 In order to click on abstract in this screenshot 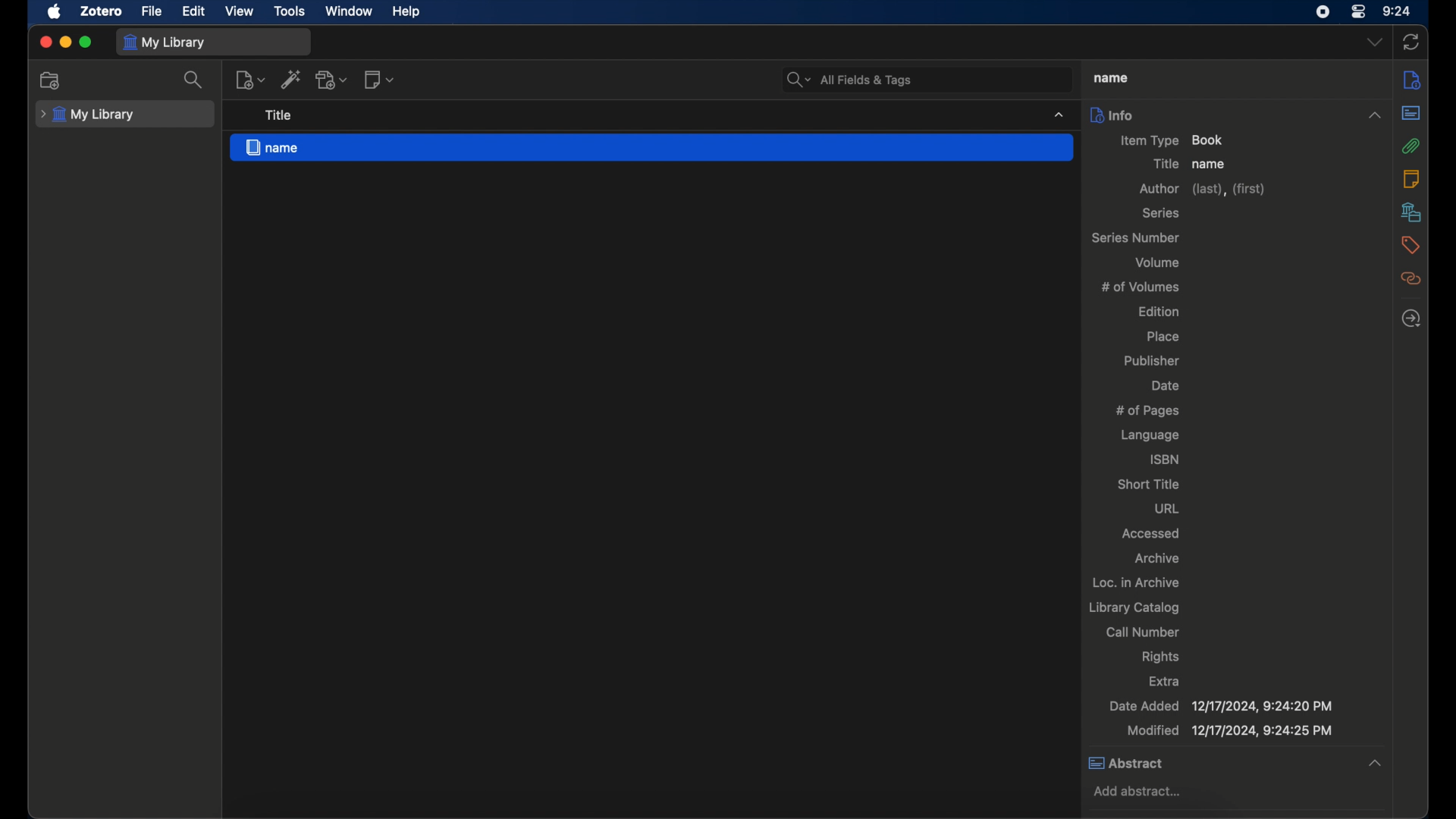, I will do `click(1125, 762)`.